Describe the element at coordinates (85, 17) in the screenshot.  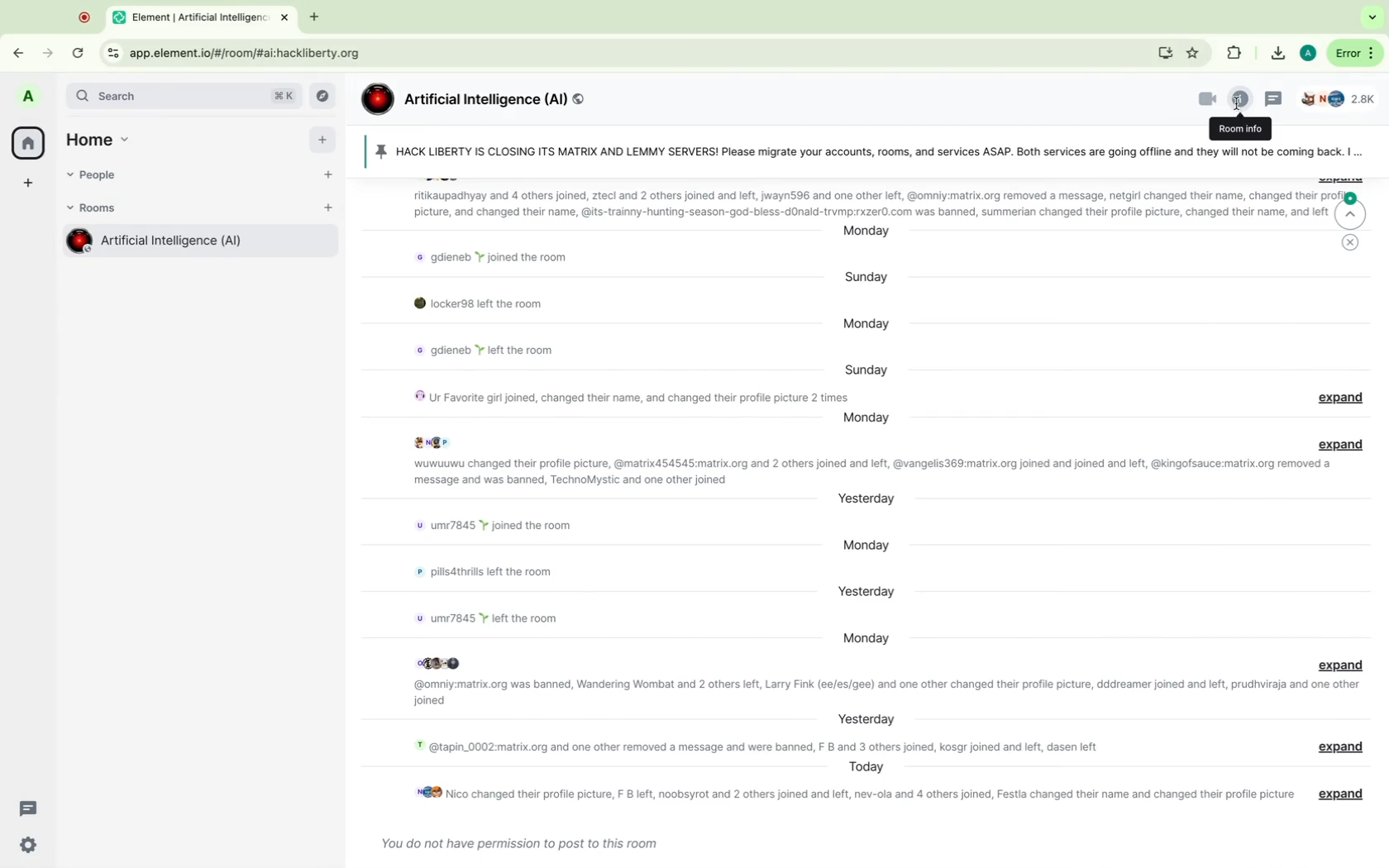
I see `recording` at that location.